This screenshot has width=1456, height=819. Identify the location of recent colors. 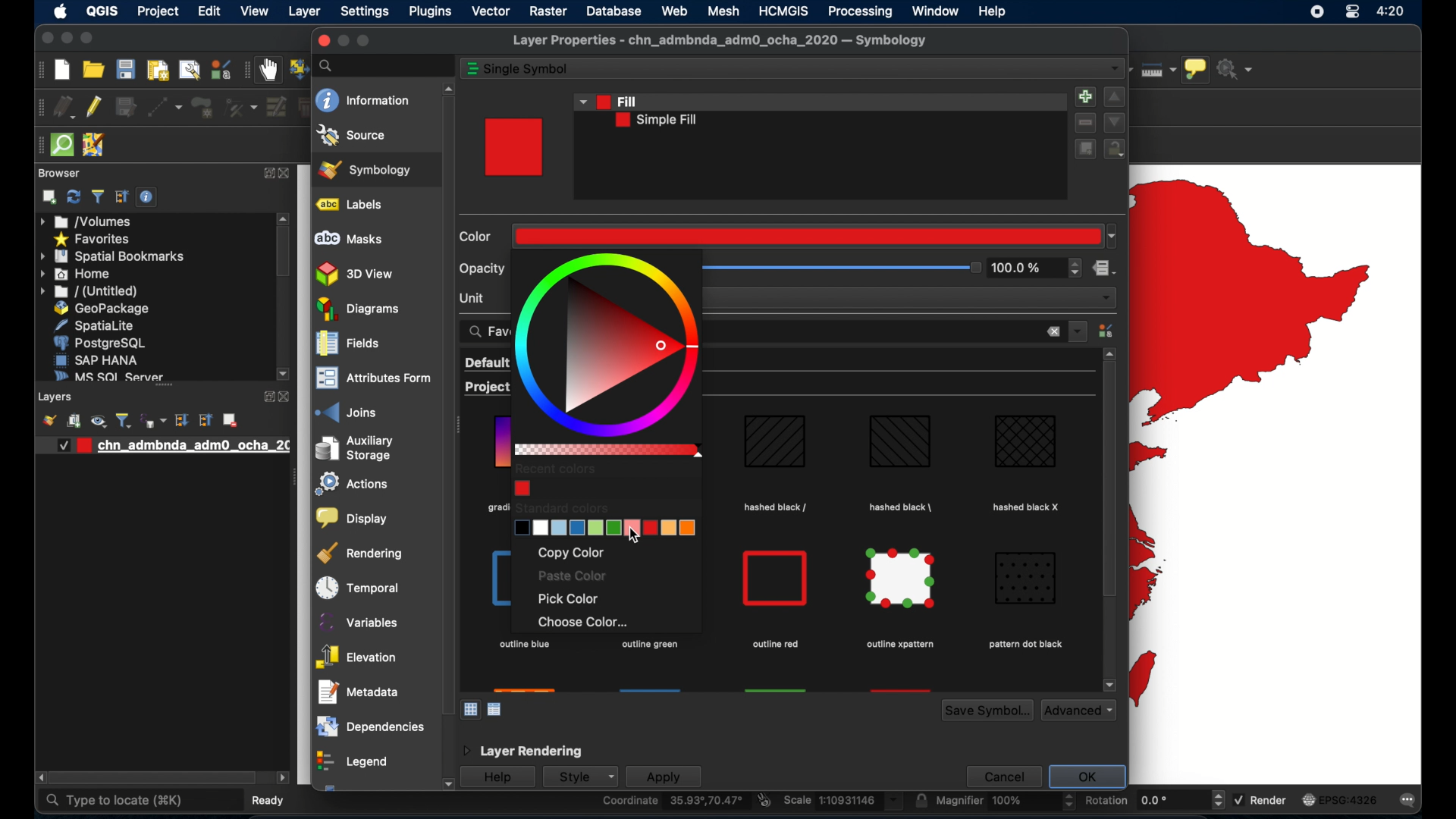
(556, 469).